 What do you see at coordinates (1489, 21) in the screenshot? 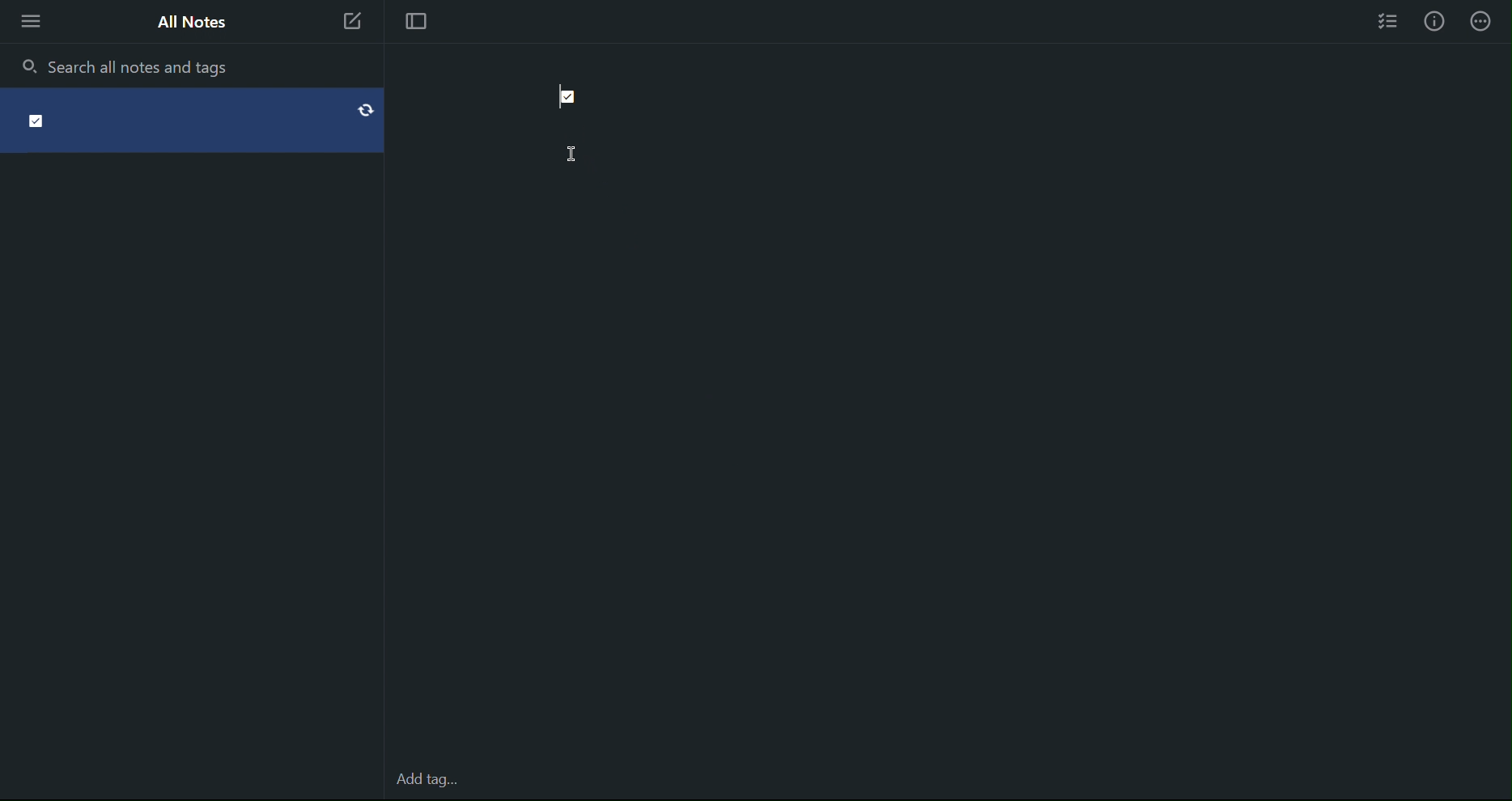
I see `Info` at bounding box center [1489, 21].